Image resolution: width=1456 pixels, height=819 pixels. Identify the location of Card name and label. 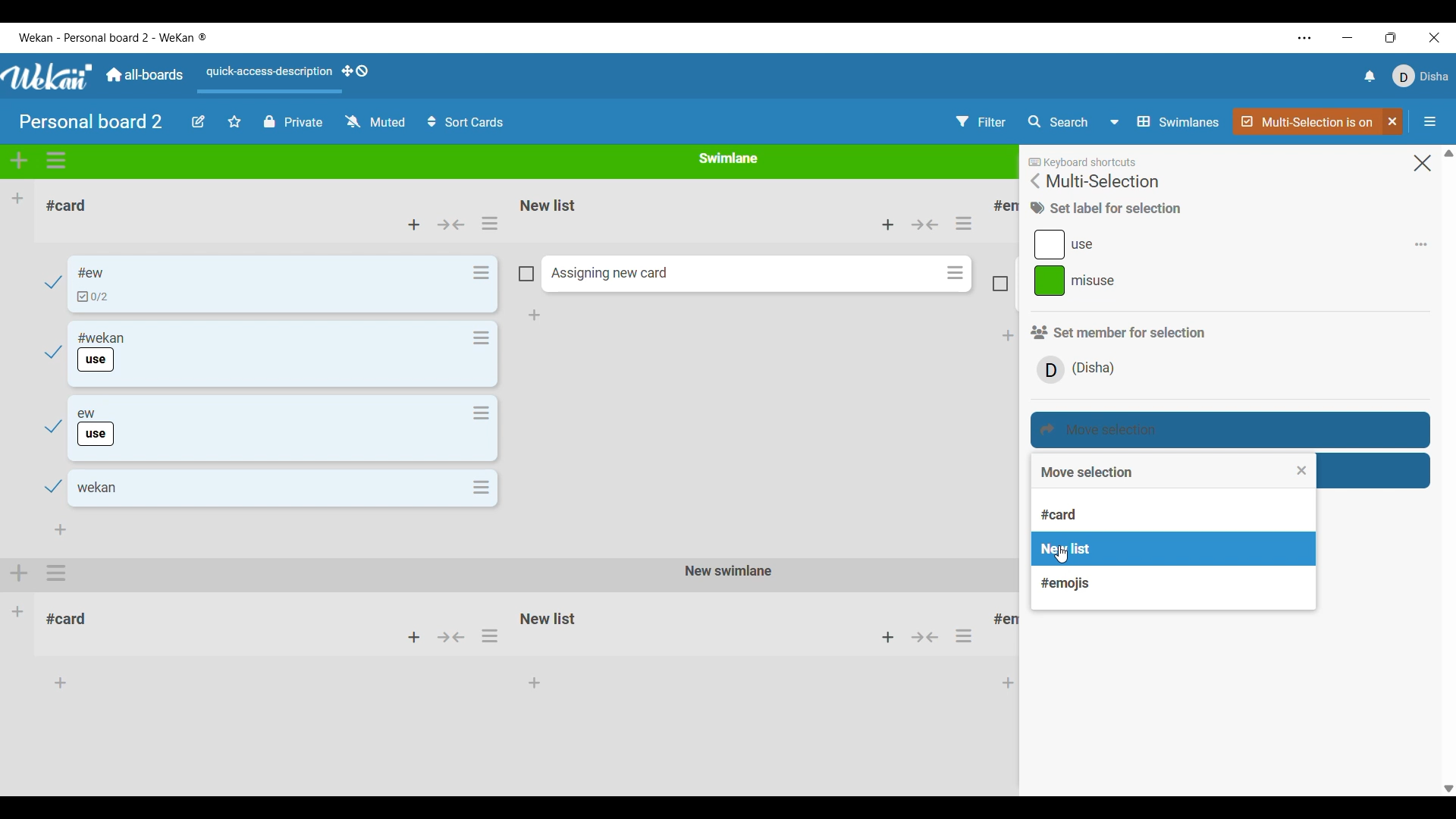
(108, 351).